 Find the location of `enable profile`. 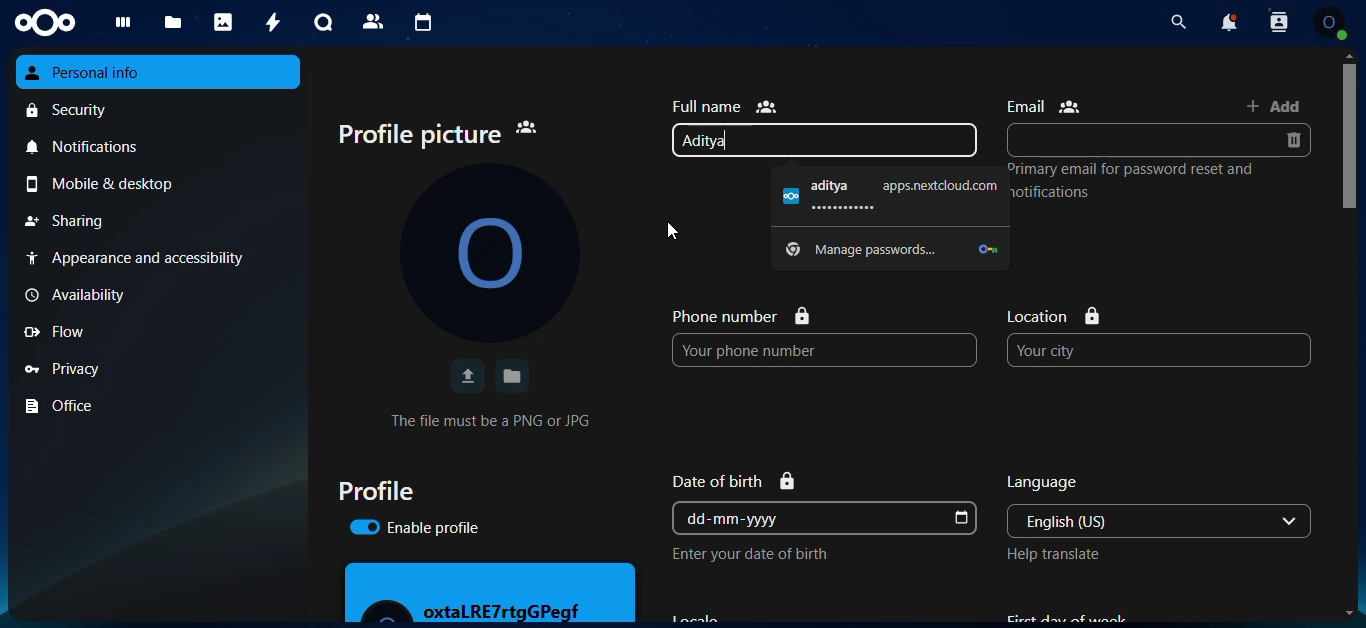

enable profile is located at coordinates (414, 527).